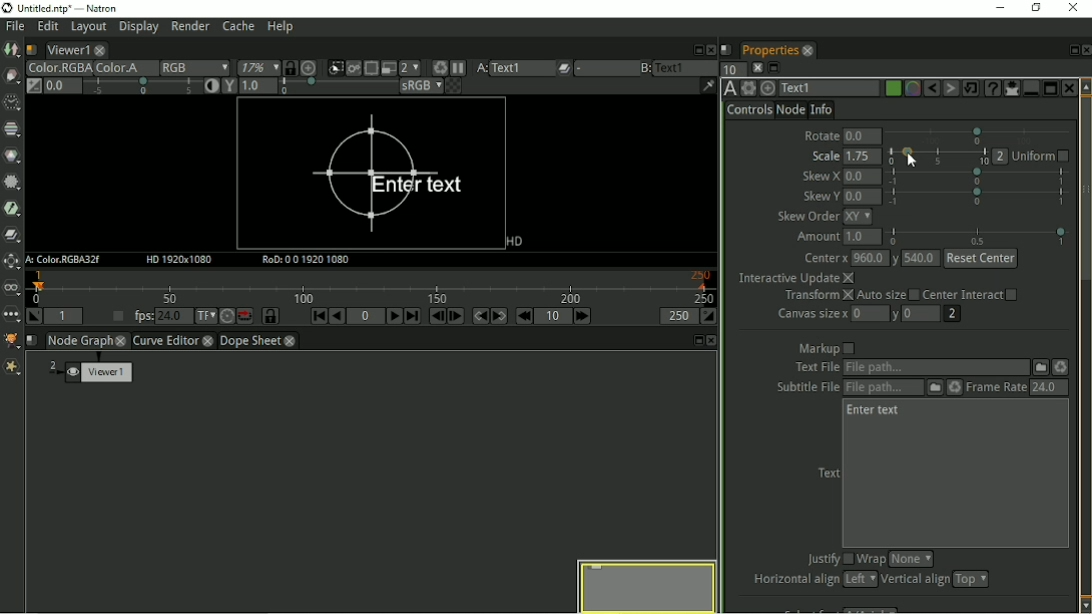 The height and width of the screenshot is (614, 1092). I want to click on Scales the image, so click(308, 67).